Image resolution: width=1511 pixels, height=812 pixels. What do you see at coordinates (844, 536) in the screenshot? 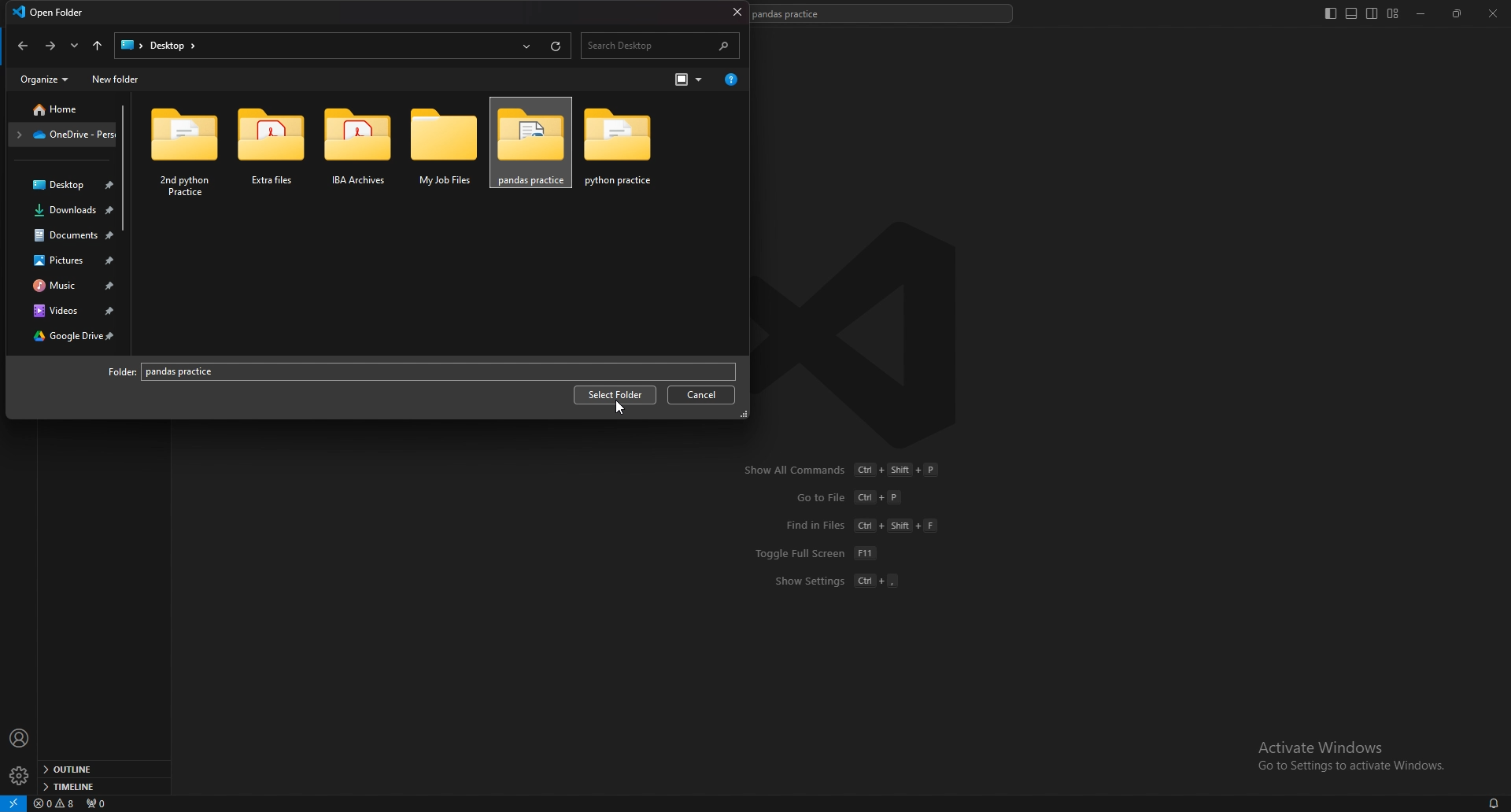
I see `Show All Commands Ct + Shift + P
GotoFile Cl +P
Find in Files (Ct + Shit + F
Toggle Full Screen [FT
Show Settings (Cl +,` at bounding box center [844, 536].